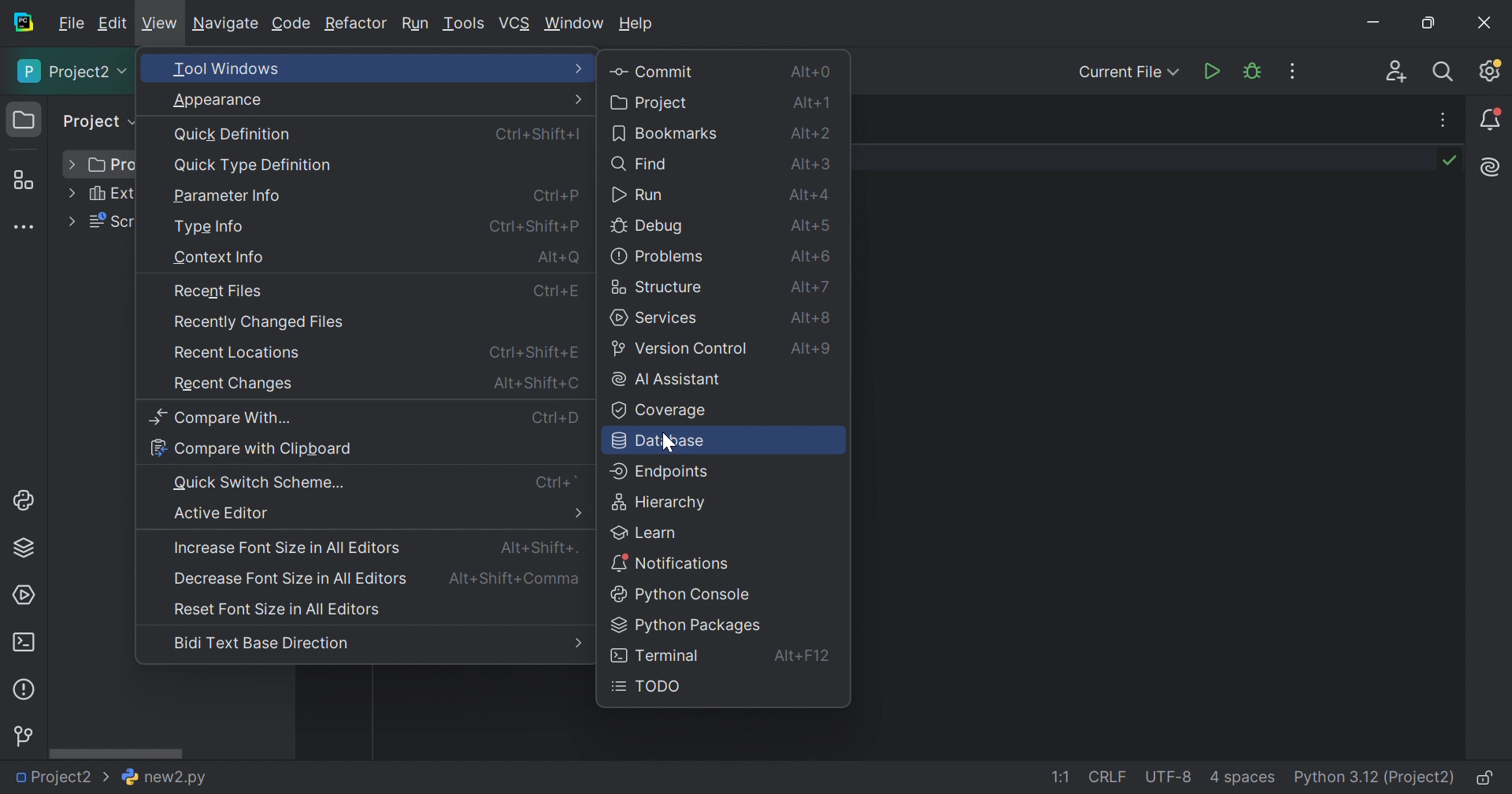  What do you see at coordinates (358, 24) in the screenshot?
I see `Refactor` at bounding box center [358, 24].